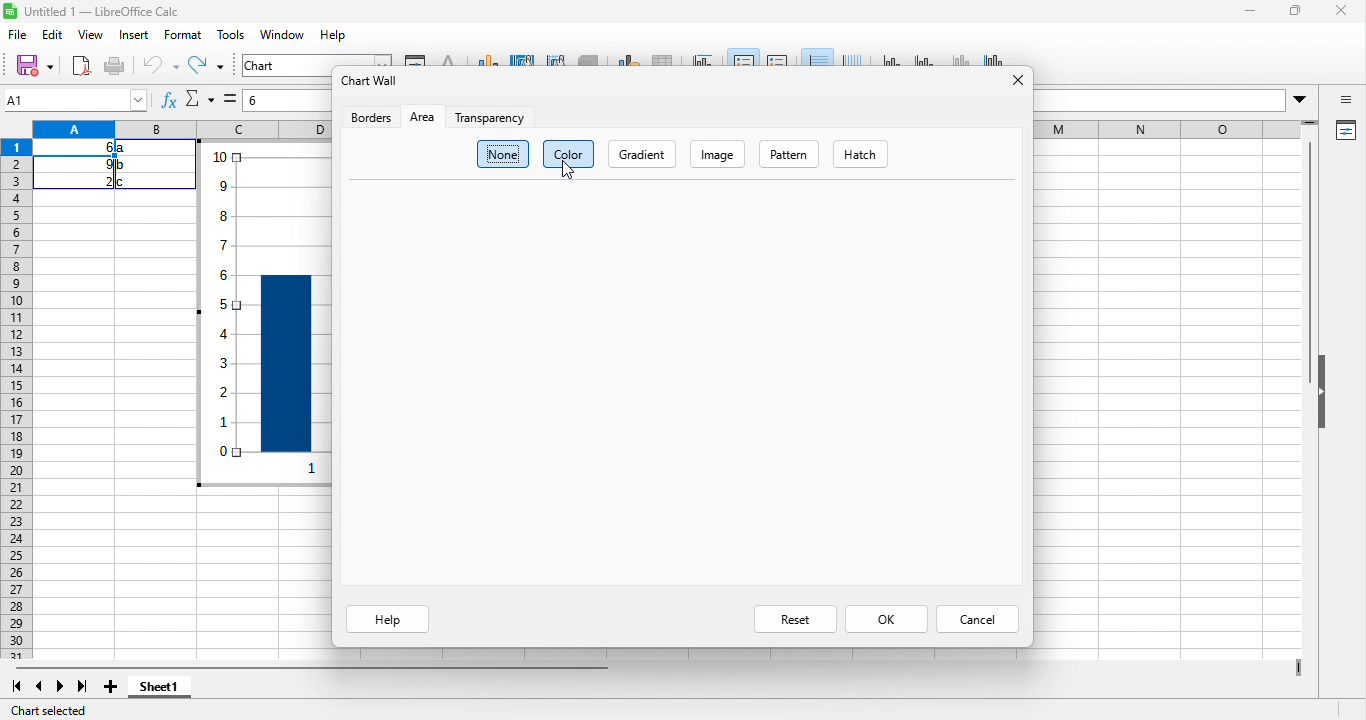 This screenshot has width=1366, height=720. What do you see at coordinates (423, 118) in the screenshot?
I see `area` at bounding box center [423, 118].